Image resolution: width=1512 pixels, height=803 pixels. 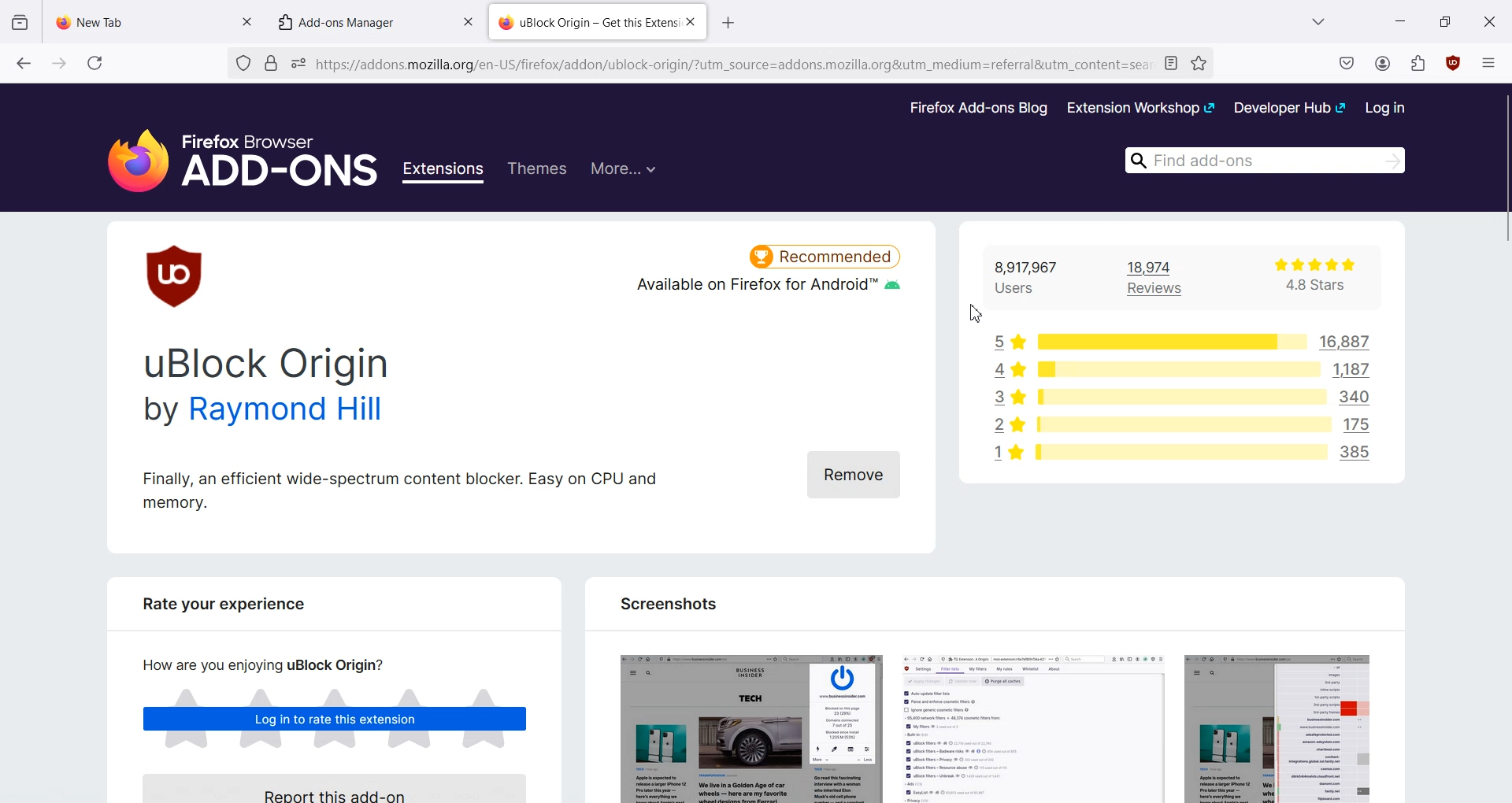 I want to click on Log in to rate this extensions, so click(x=335, y=720).